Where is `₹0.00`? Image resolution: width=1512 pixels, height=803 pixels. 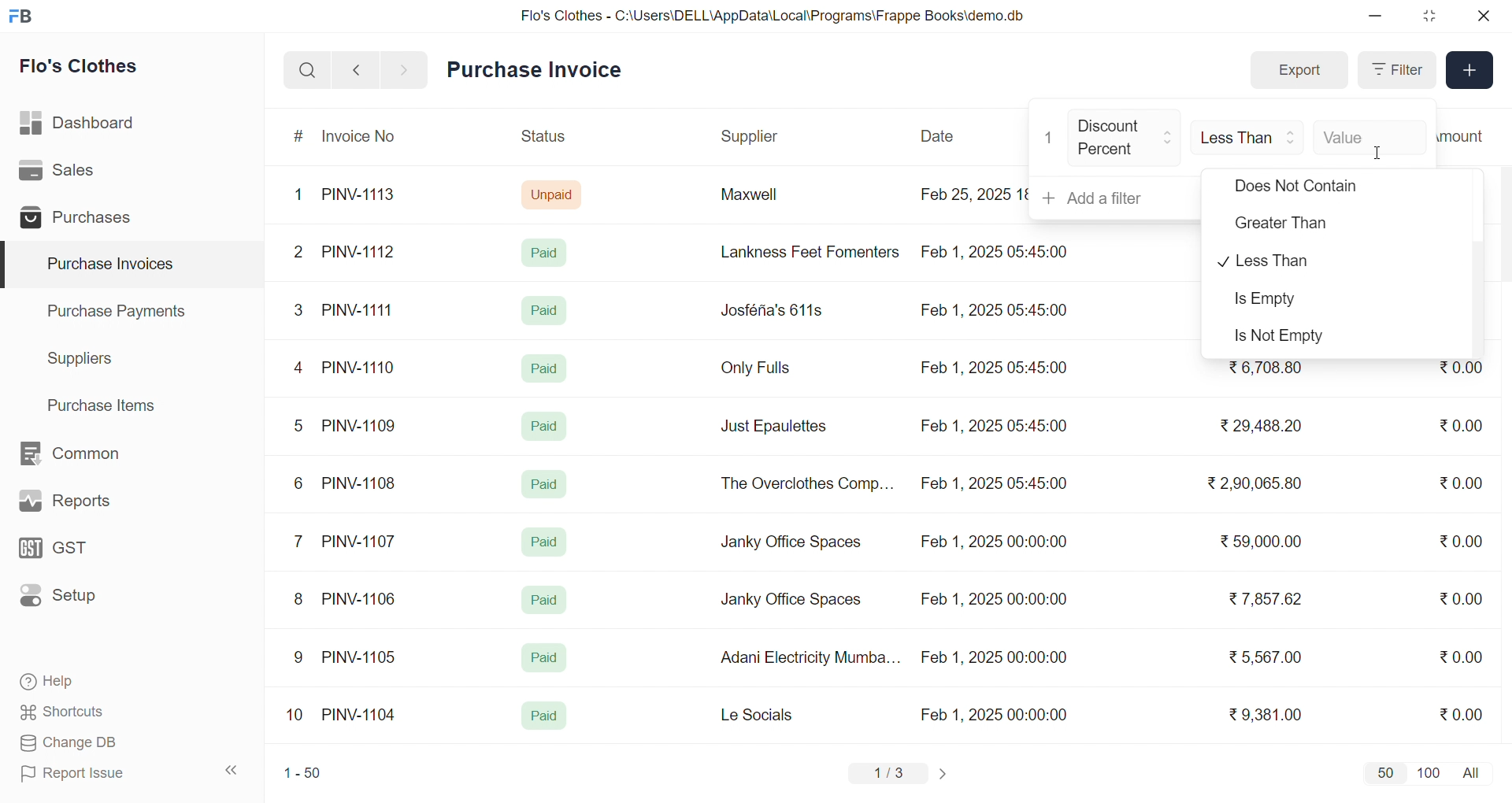
₹0.00 is located at coordinates (1466, 539).